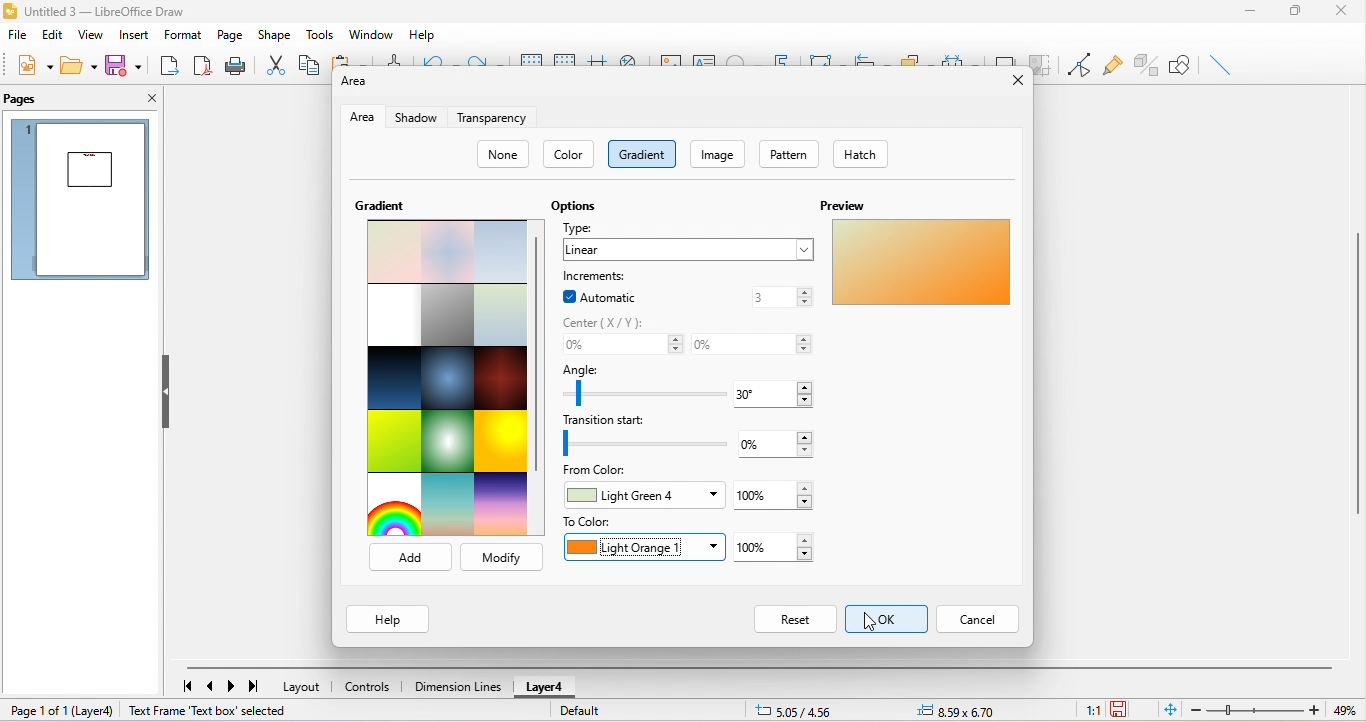 The image size is (1366, 722). What do you see at coordinates (446, 252) in the screenshot?
I see `pastel dream` at bounding box center [446, 252].